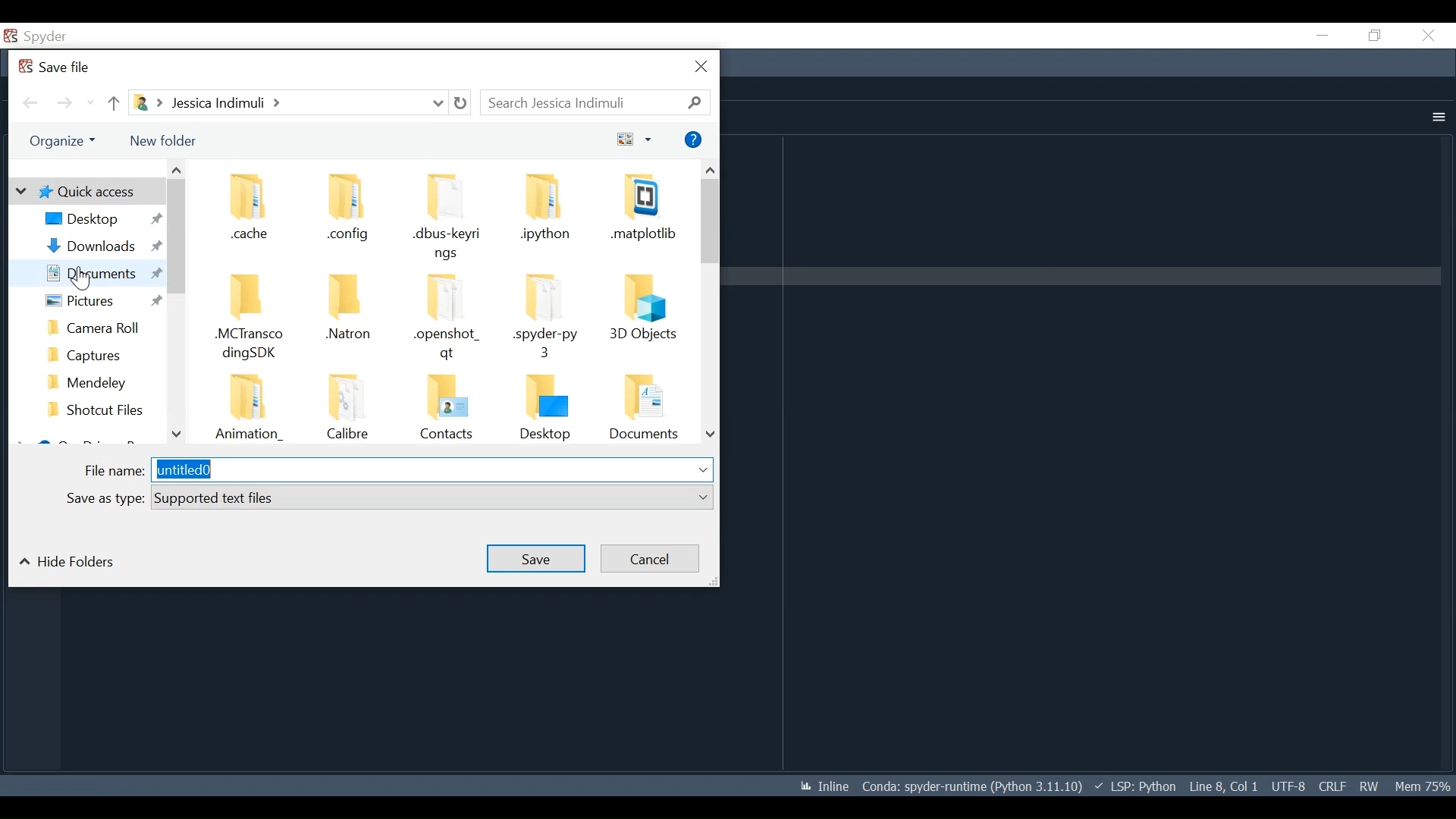 The image size is (1456, 819). Describe the element at coordinates (389, 496) in the screenshot. I see `Save as type` at that location.